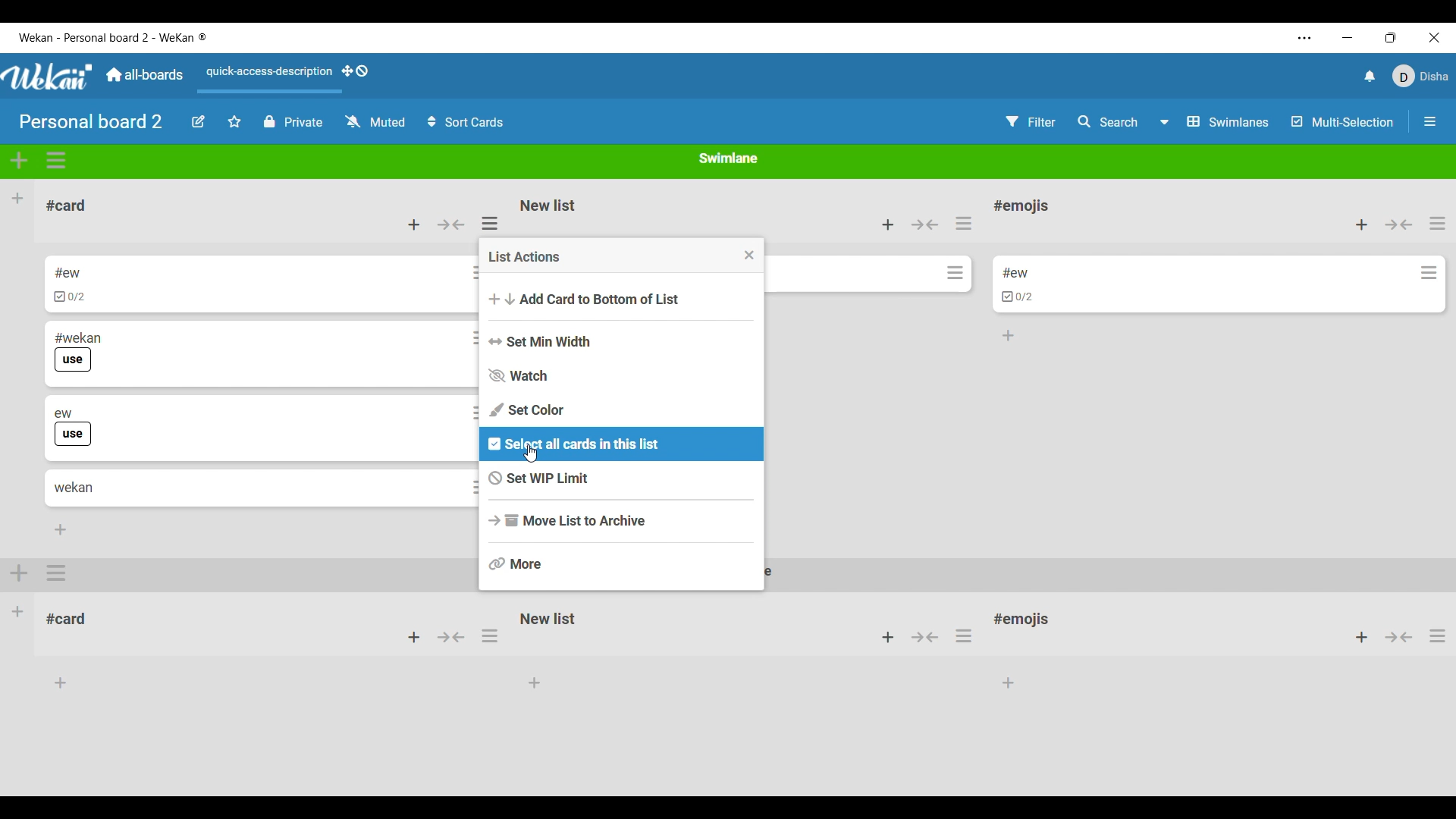  I want to click on Minimize, so click(1348, 37).